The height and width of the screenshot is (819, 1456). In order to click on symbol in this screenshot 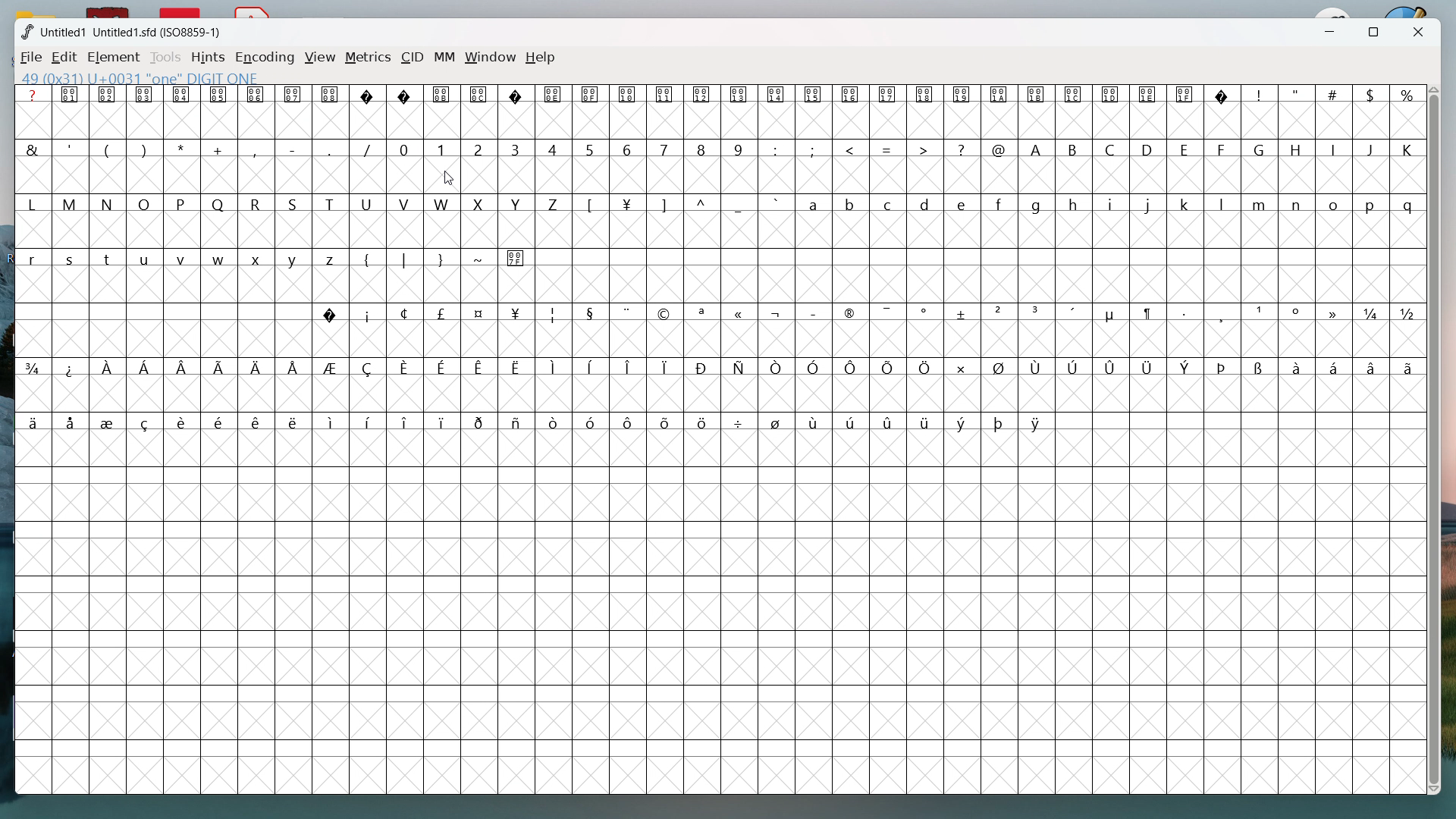, I will do `click(518, 312)`.